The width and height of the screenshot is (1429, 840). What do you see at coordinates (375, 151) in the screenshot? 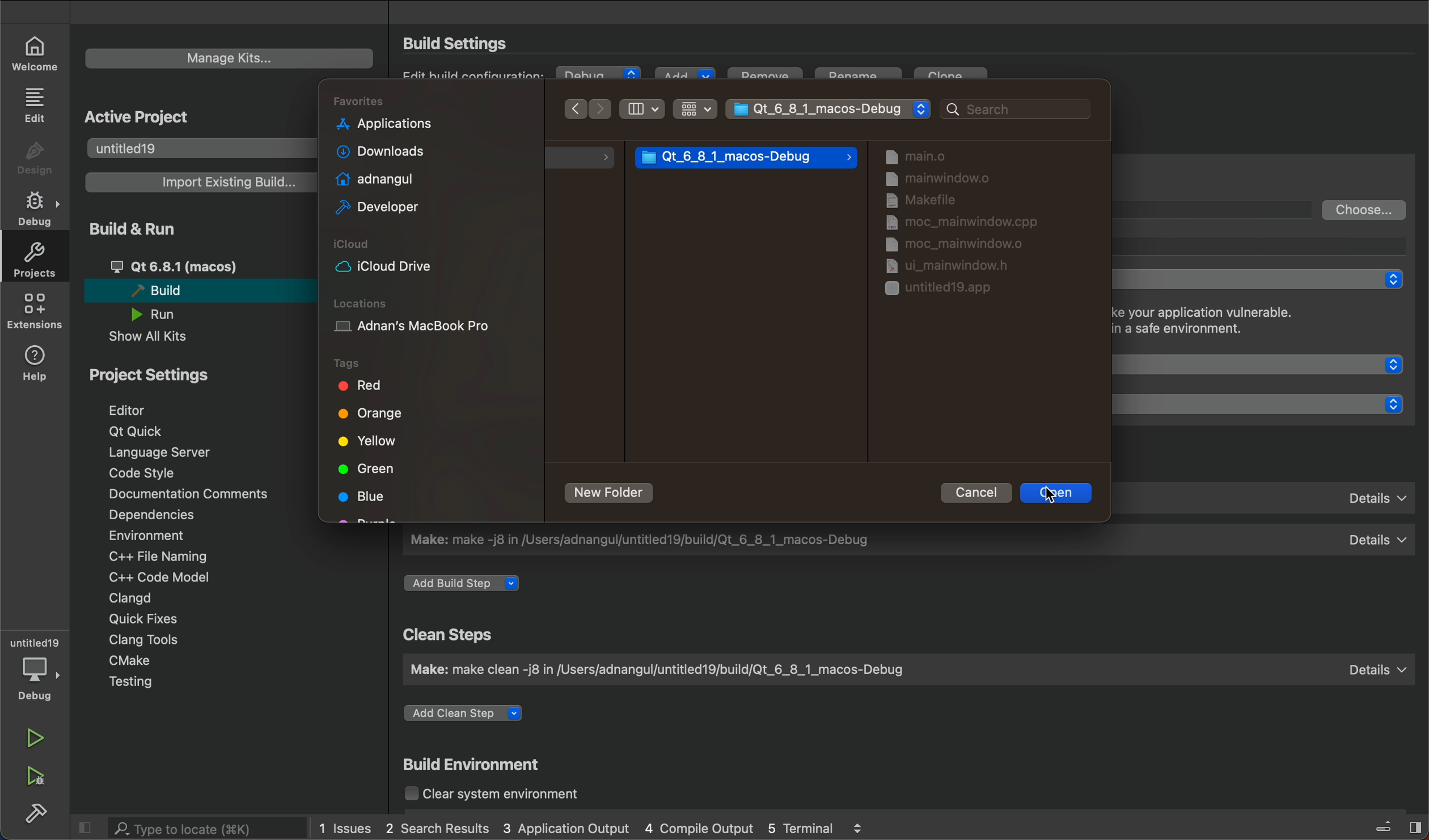
I see `downloads` at bounding box center [375, 151].